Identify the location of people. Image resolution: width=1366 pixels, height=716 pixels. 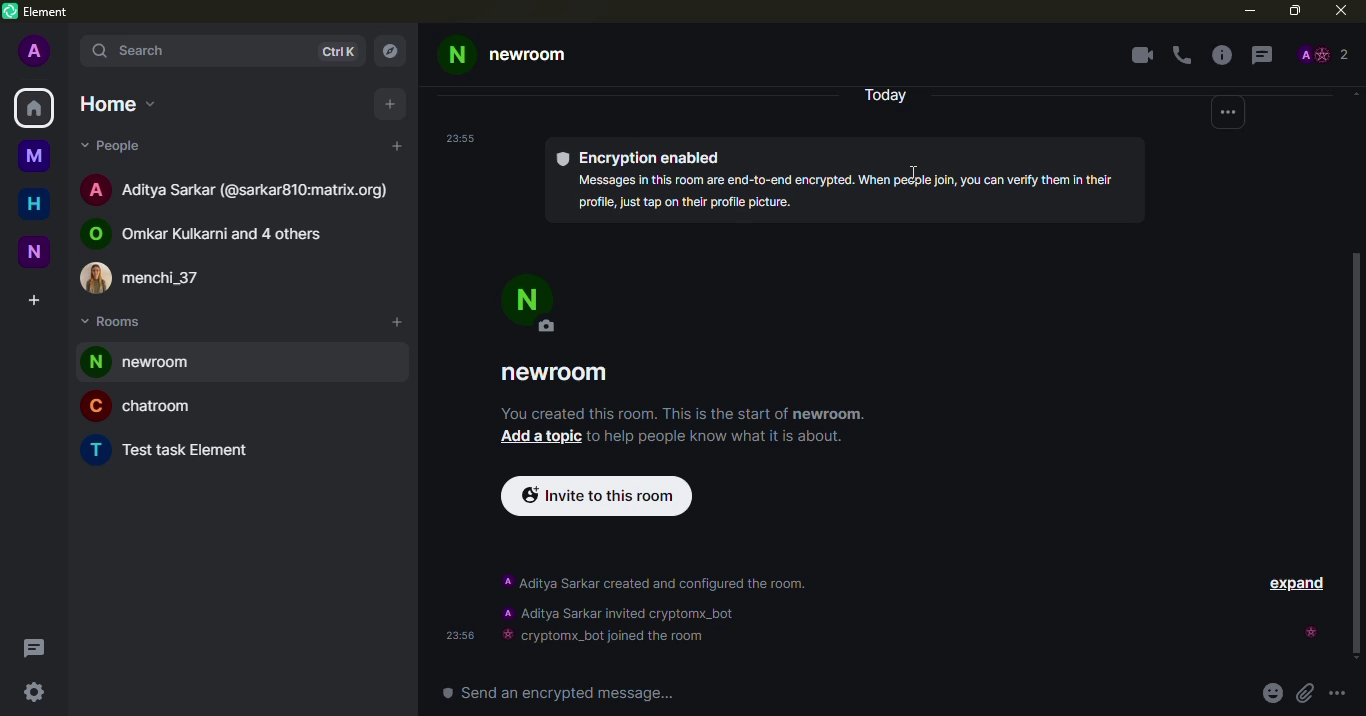
(119, 146).